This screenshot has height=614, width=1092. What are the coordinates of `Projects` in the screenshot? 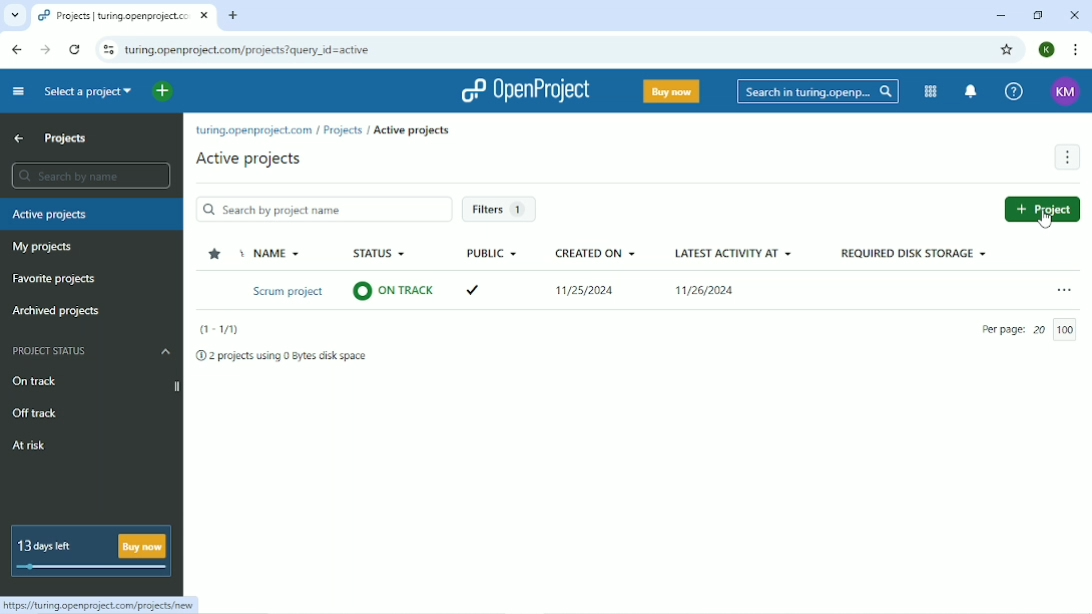 It's located at (66, 139).